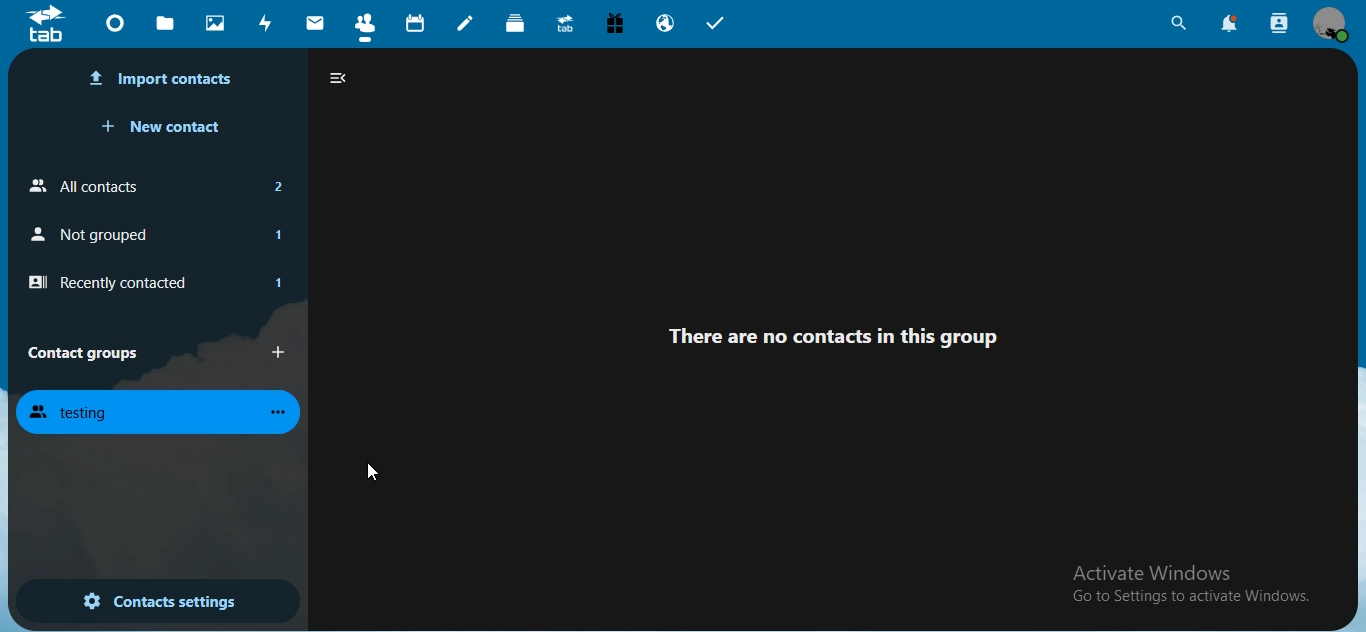 The height and width of the screenshot is (632, 1366). Describe the element at coordinates (716, 26) in the screenshot. I see `tasks` at that location.